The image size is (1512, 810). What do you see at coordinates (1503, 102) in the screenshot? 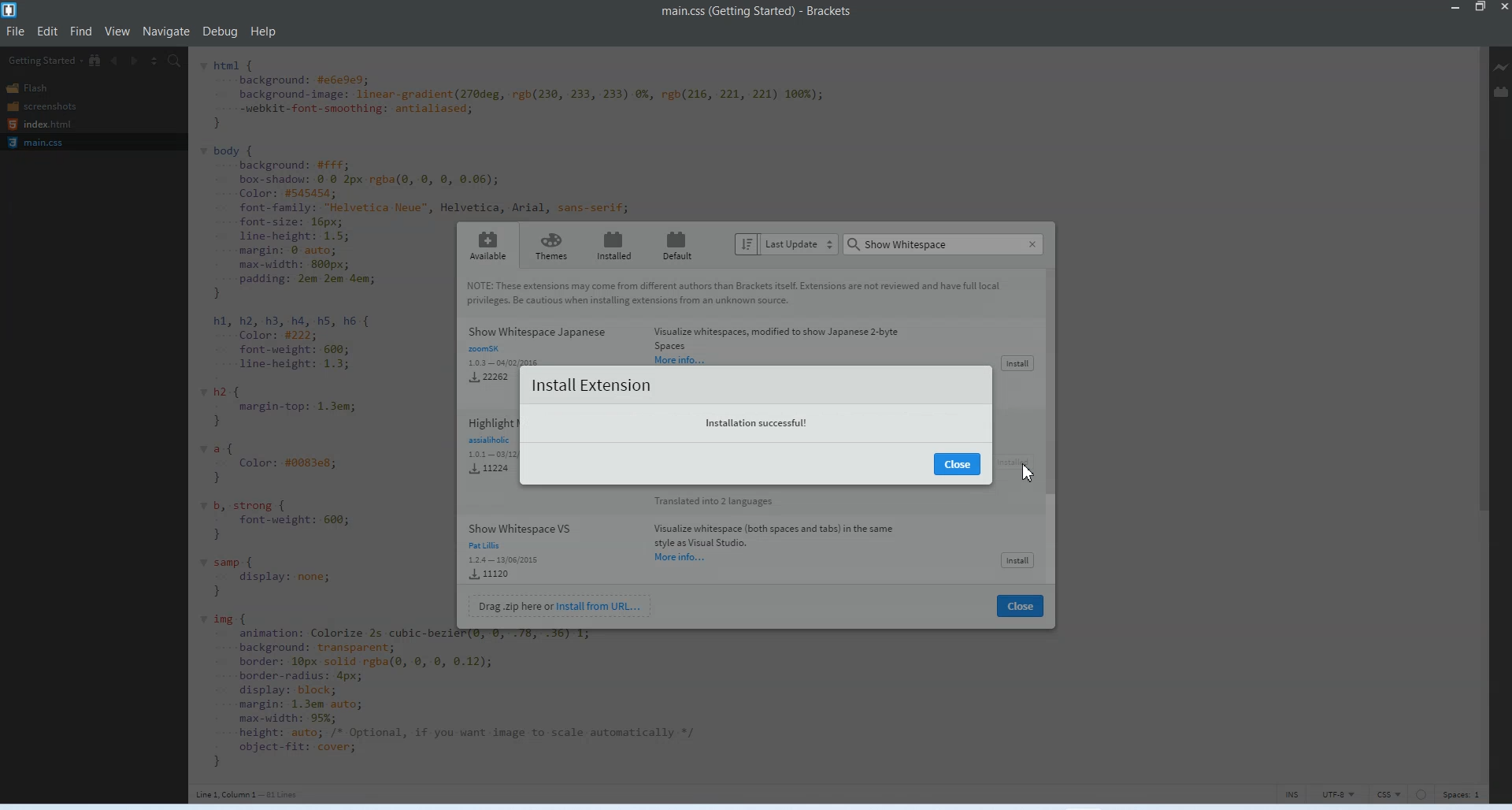
I see `Cursor` at bounding box center [1503, 102].